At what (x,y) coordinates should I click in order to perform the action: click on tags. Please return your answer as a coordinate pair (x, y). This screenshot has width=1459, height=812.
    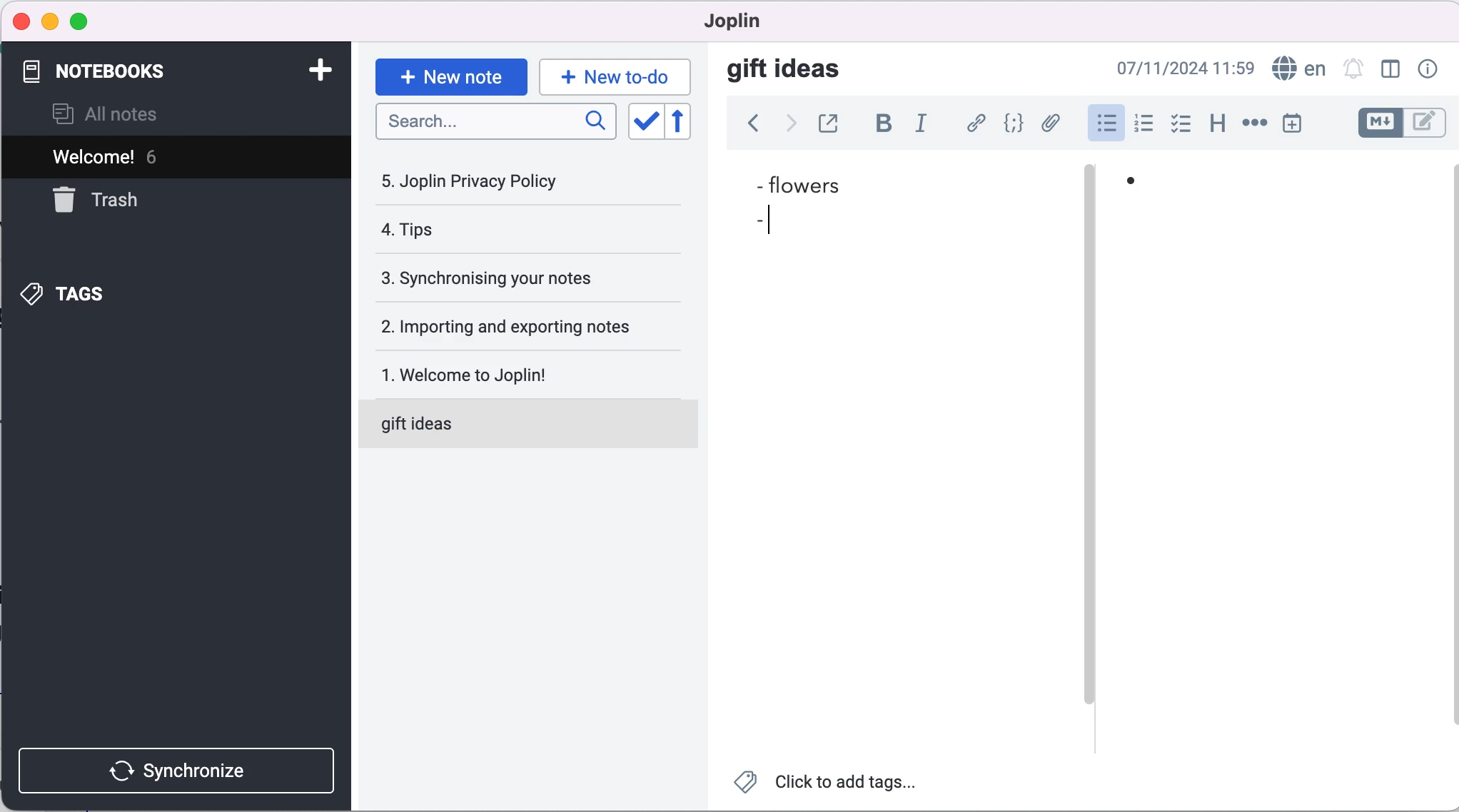
    Looking at the image, I should click on (78, 293).